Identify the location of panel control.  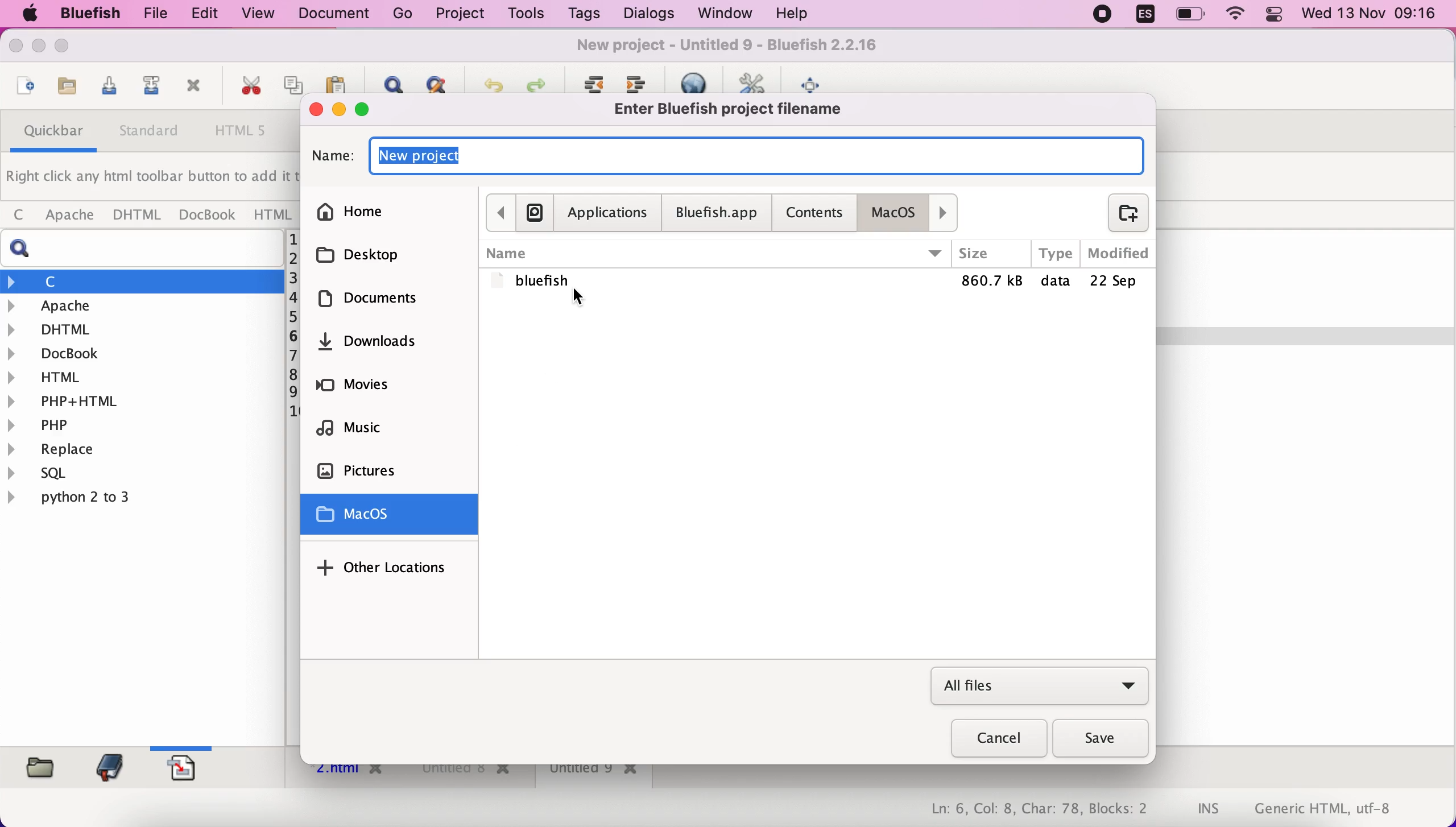
(1274, 15).